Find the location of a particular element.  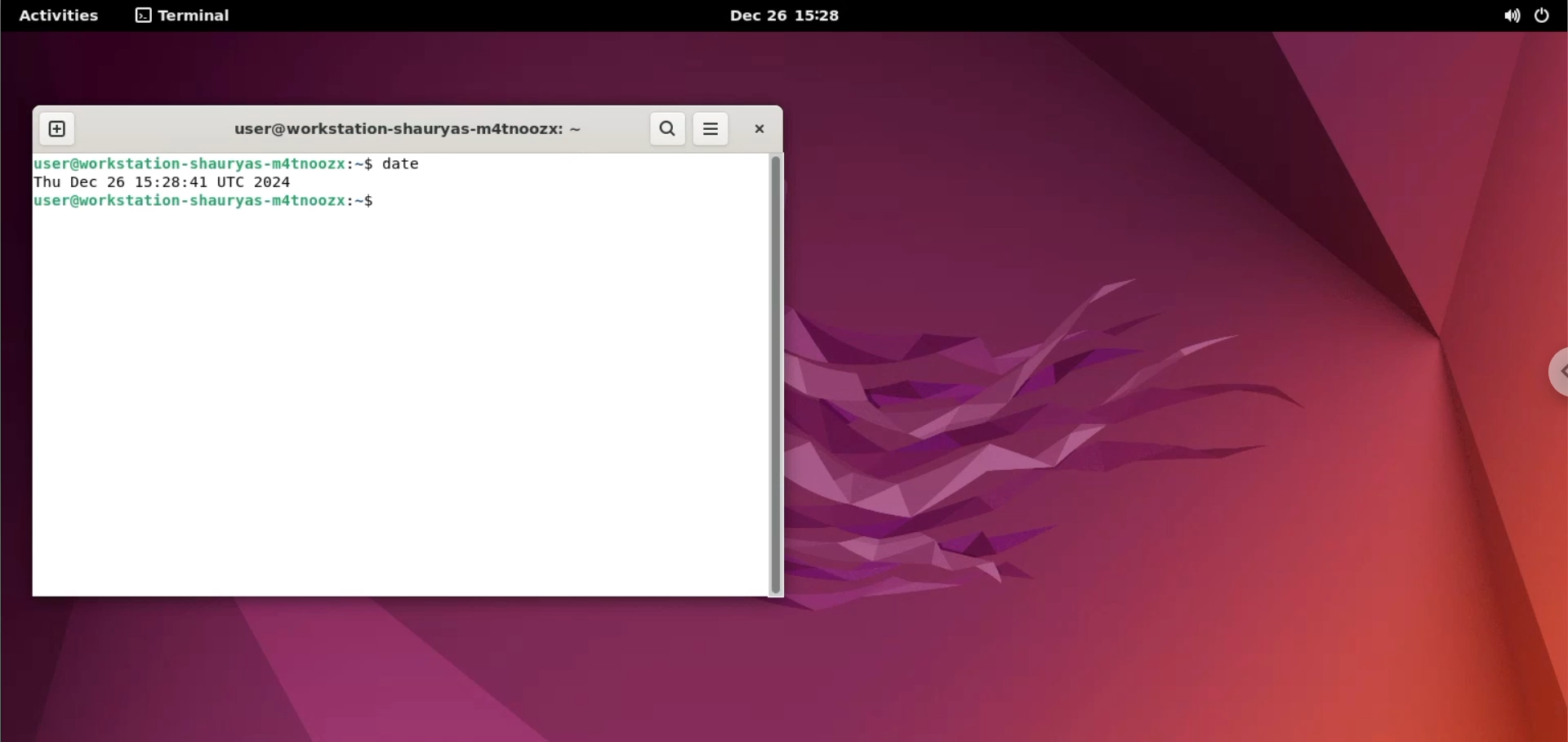

15:28:41 is located at coordinates (173, 182).